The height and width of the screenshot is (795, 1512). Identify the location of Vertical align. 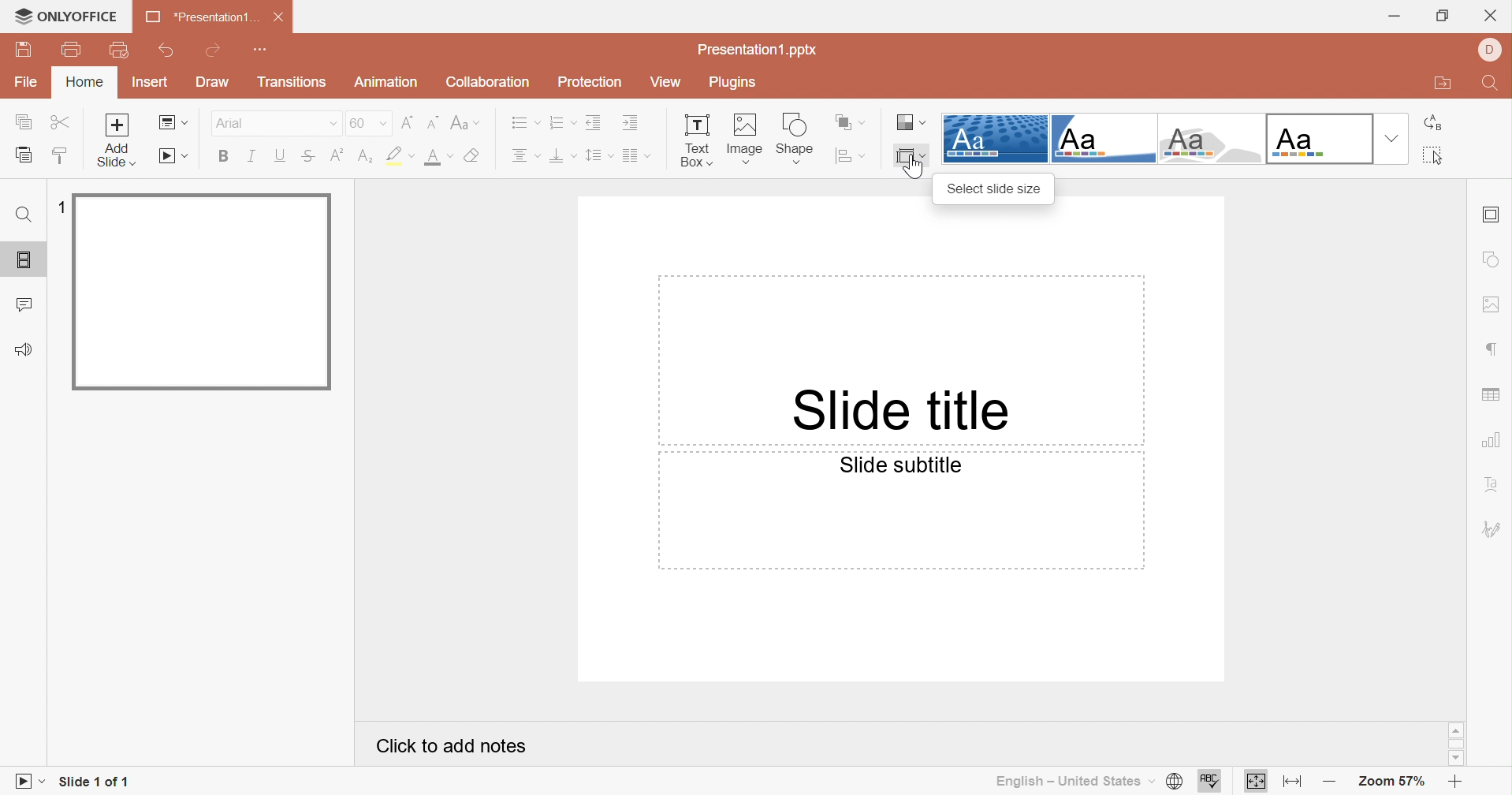
(560, 155).